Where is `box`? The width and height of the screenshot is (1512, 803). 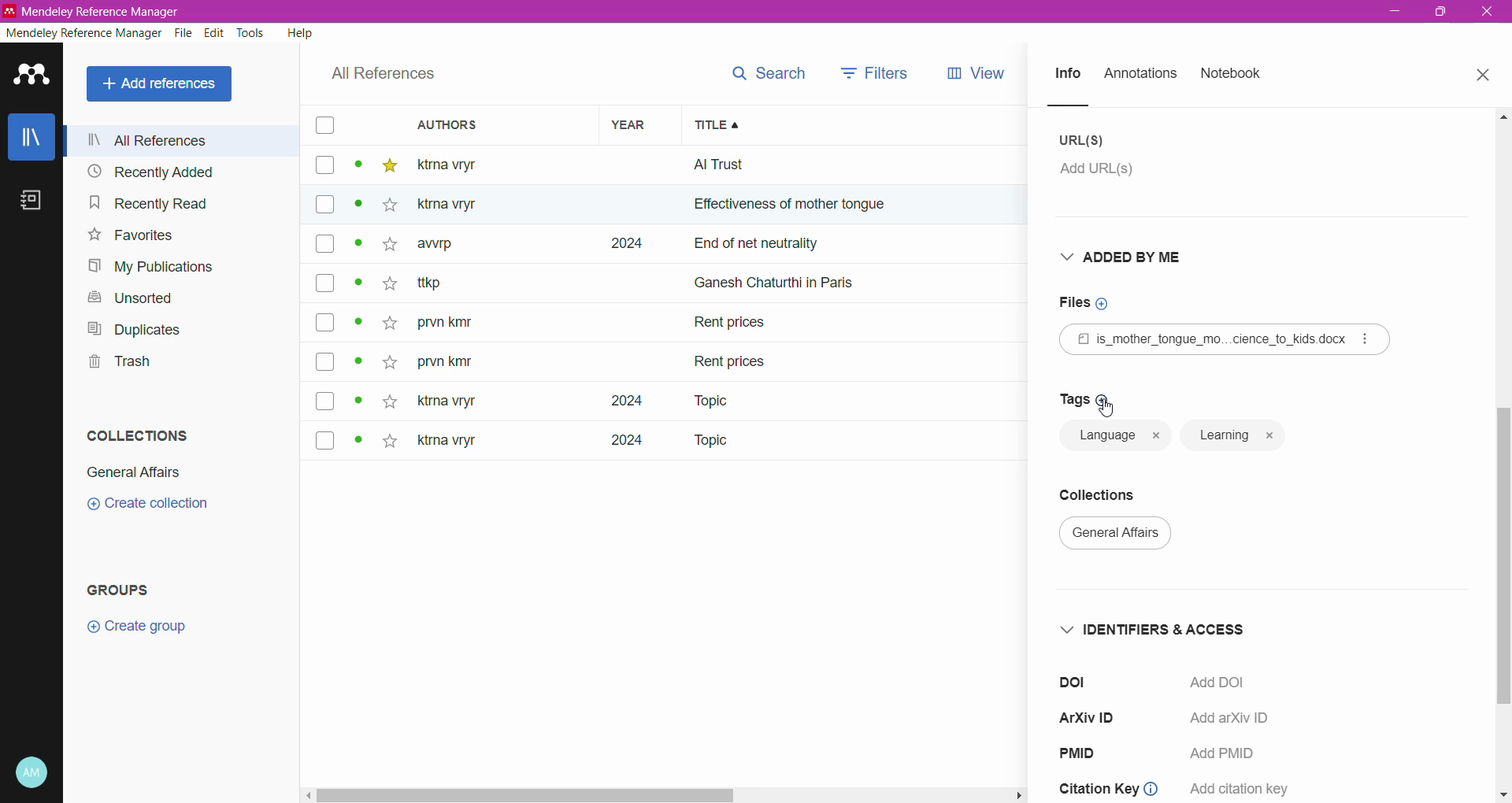 box is located at coordinates (325, 322).